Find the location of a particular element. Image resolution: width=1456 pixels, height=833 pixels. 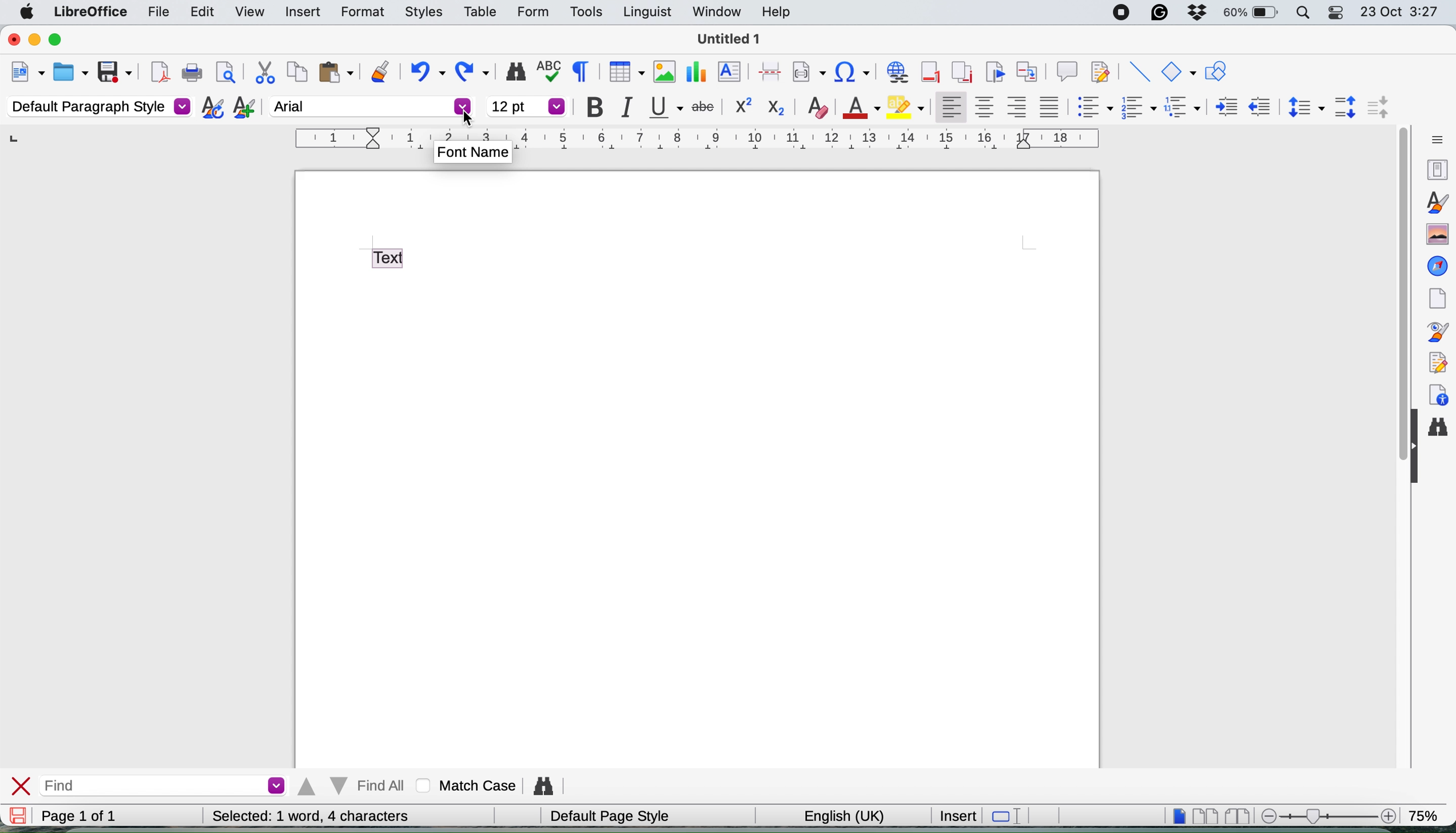

insert text box is located at coordinates (731, 73).